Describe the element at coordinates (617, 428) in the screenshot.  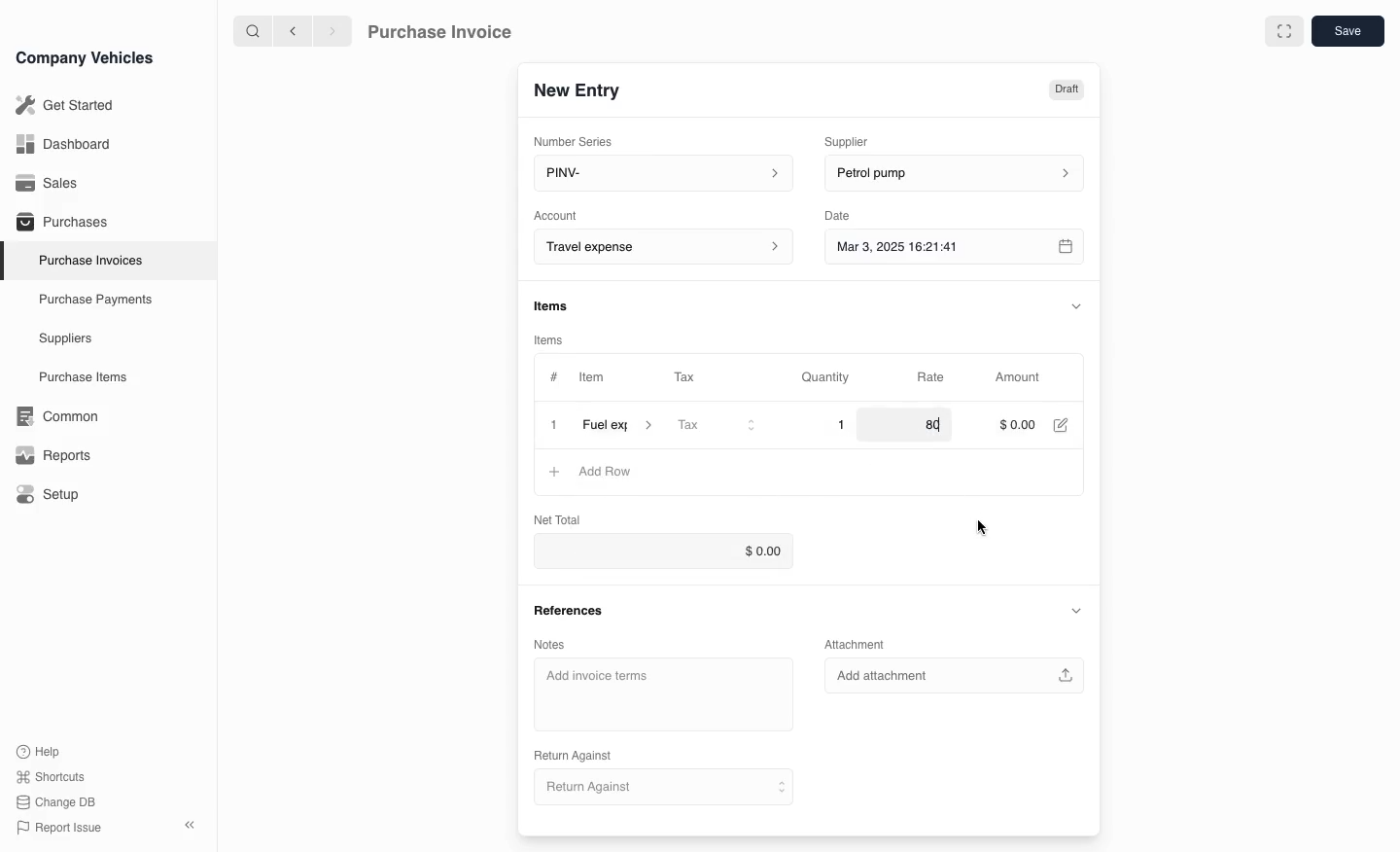
I see `item  ` at that location.